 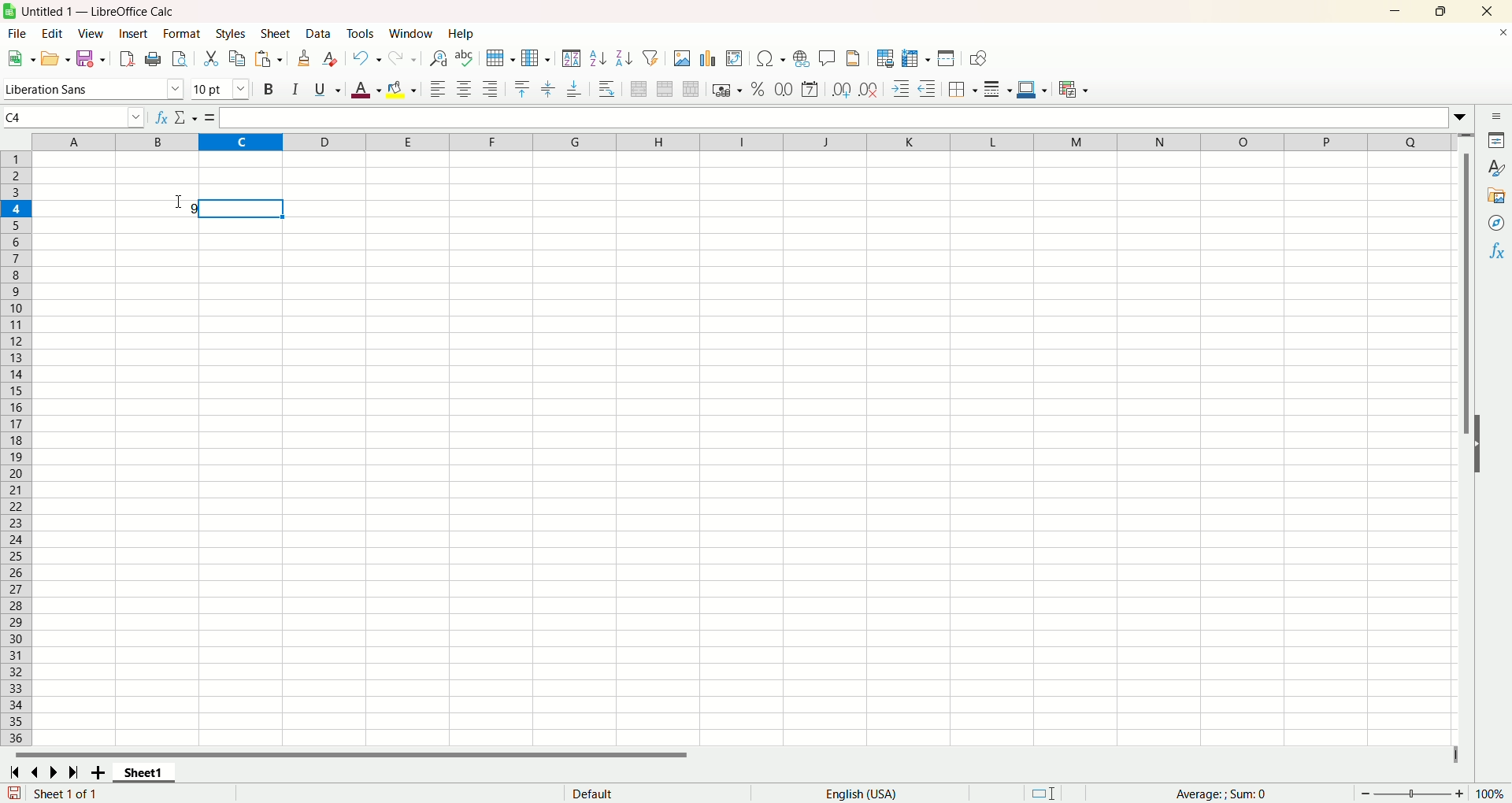 What do you see at coordinates (682, 60) in the screenshot?
I see `insert image` at bounding box center [682, 60].